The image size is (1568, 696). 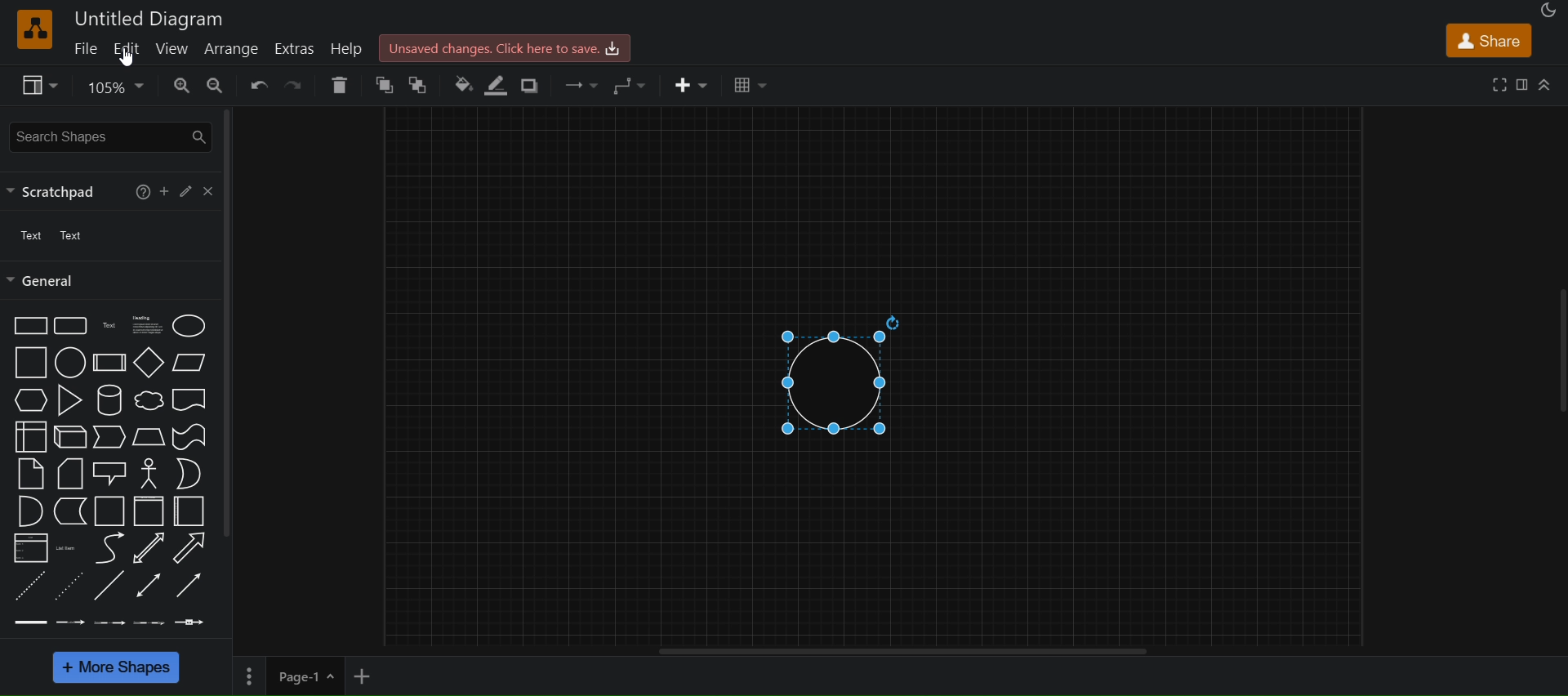 I want to click on zoom in , so click(x=183, y=84).